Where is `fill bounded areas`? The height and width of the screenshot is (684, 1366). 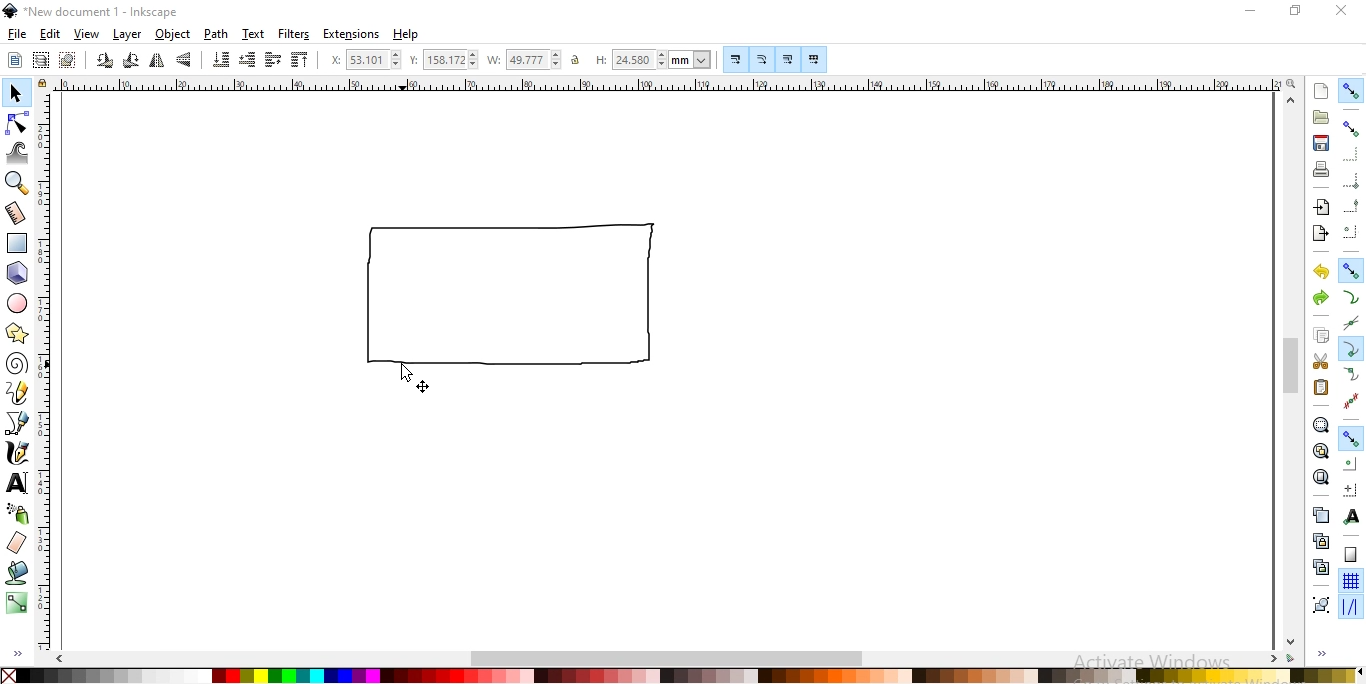 fill bounded areas is located at coordinates (21, 572).